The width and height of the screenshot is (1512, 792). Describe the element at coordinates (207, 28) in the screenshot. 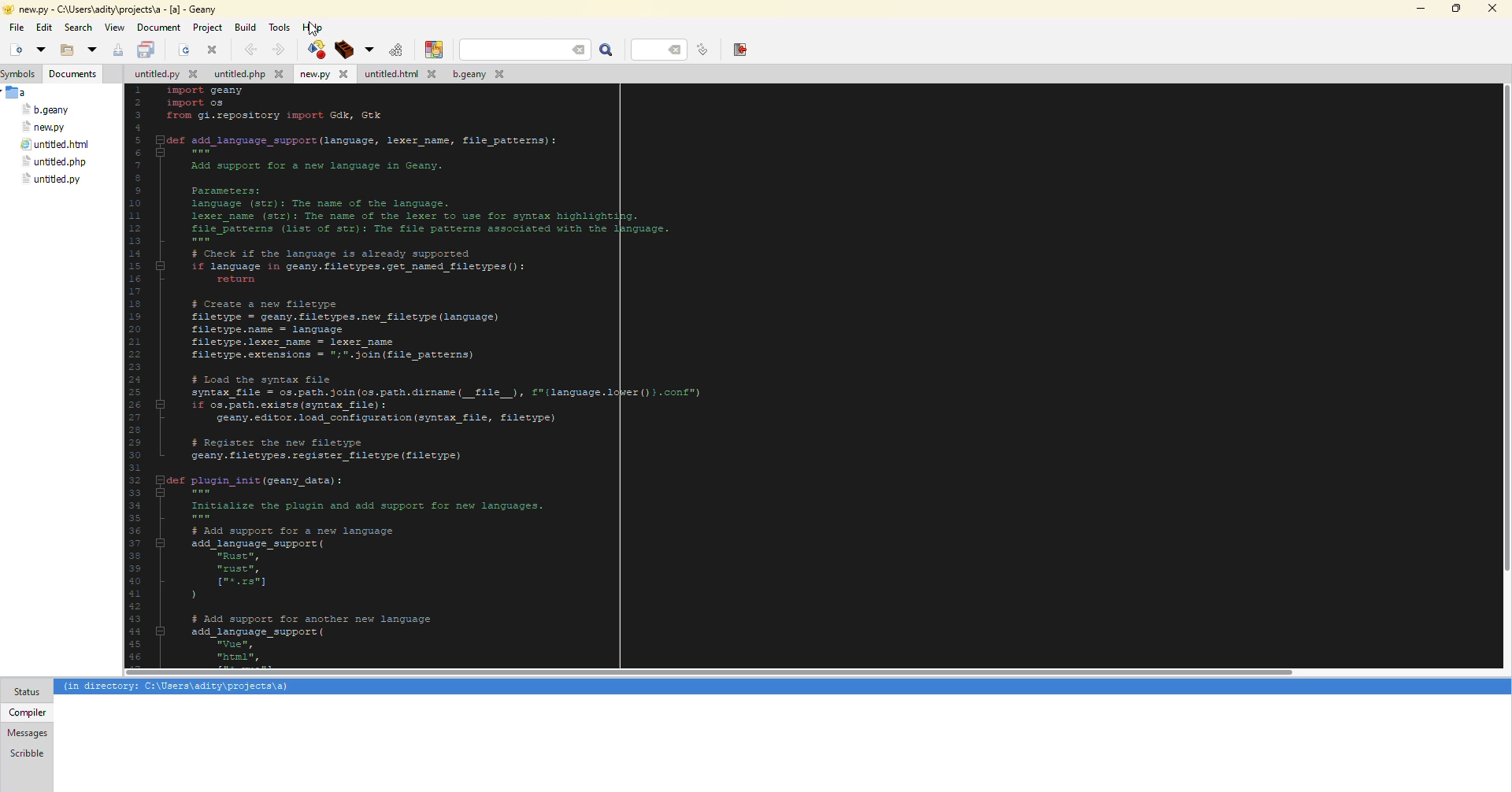

I see `project` at that location.